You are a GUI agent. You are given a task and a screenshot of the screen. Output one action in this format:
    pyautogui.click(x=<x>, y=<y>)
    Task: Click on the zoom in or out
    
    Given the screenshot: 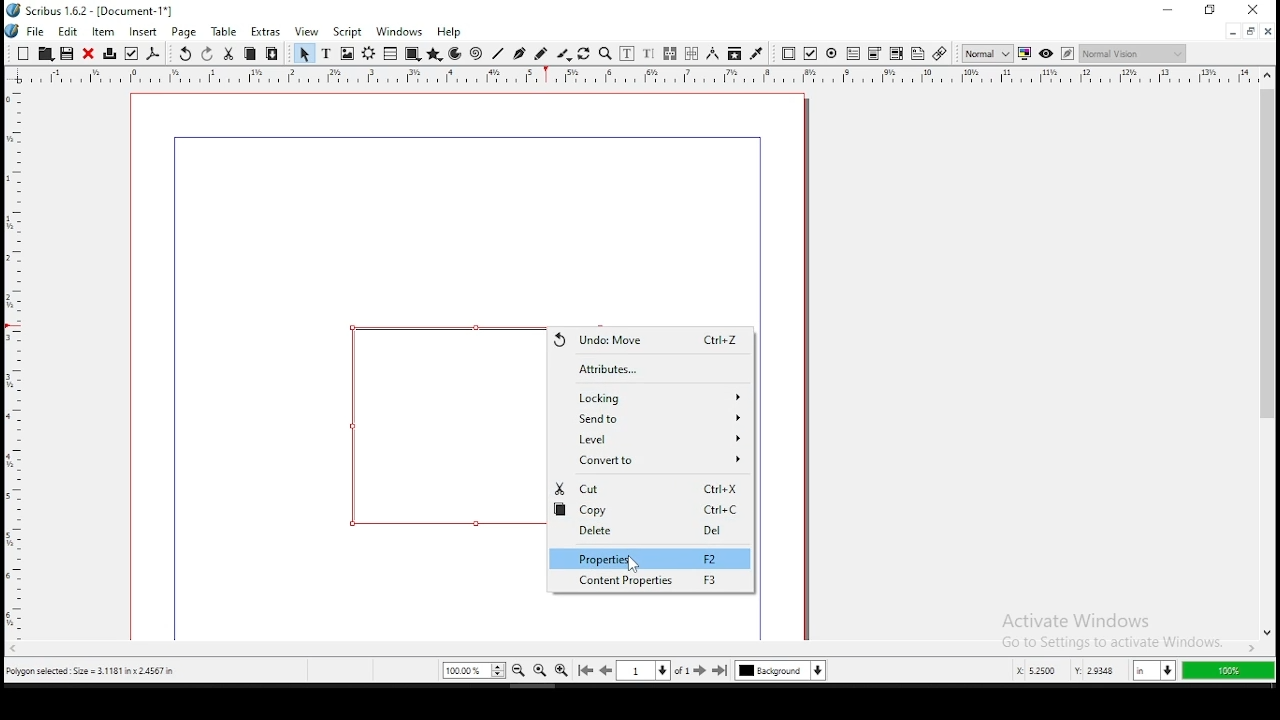 What is the action you would take?
    pyautogui.click(x=605, y=54)
    